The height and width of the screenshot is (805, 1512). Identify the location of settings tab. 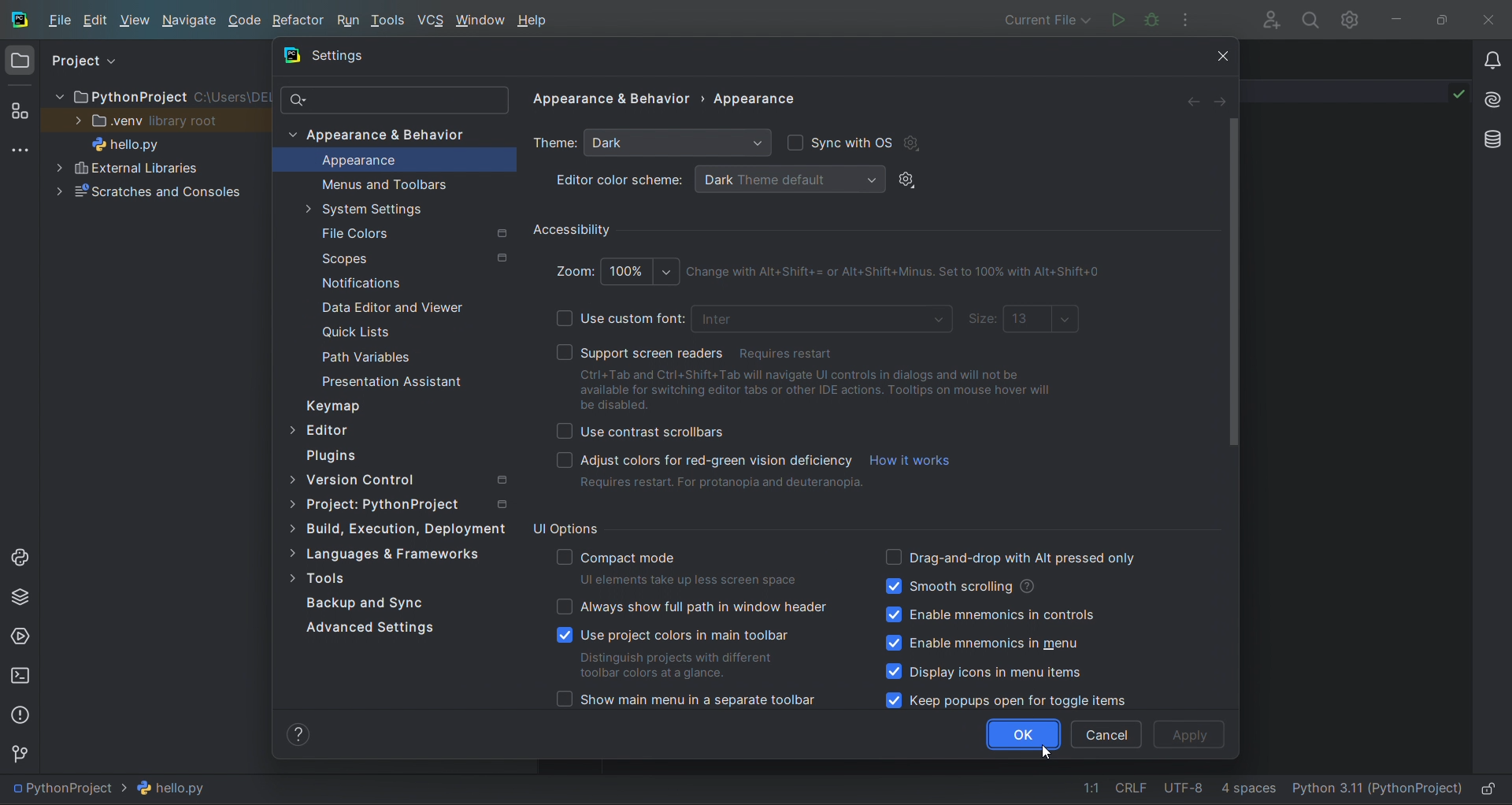
(392, 56).